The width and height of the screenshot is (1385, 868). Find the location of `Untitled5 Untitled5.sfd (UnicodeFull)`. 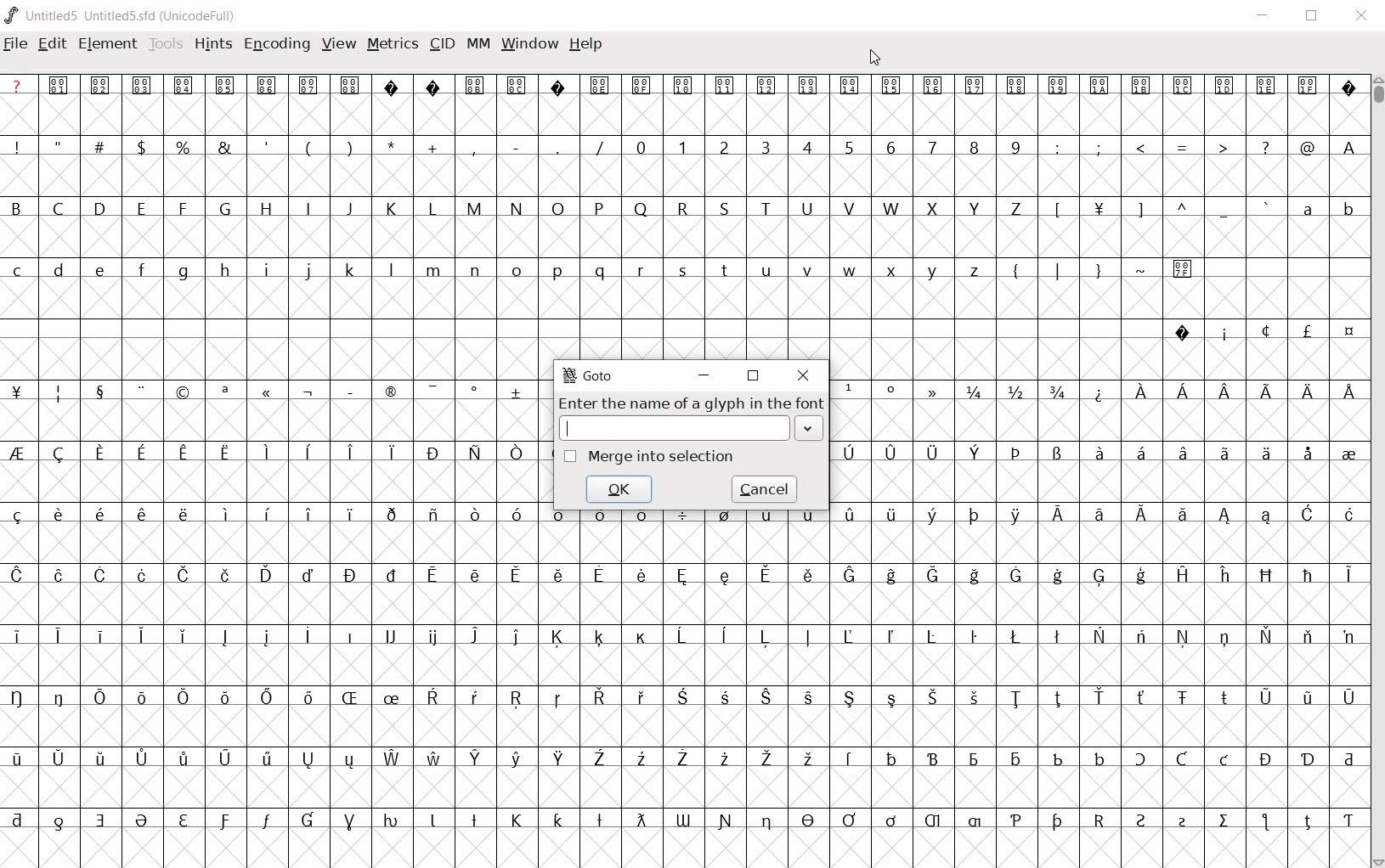

Untitled5 Untitled5.sfd (UnicodeFull) is located at coordinates (133, 18).